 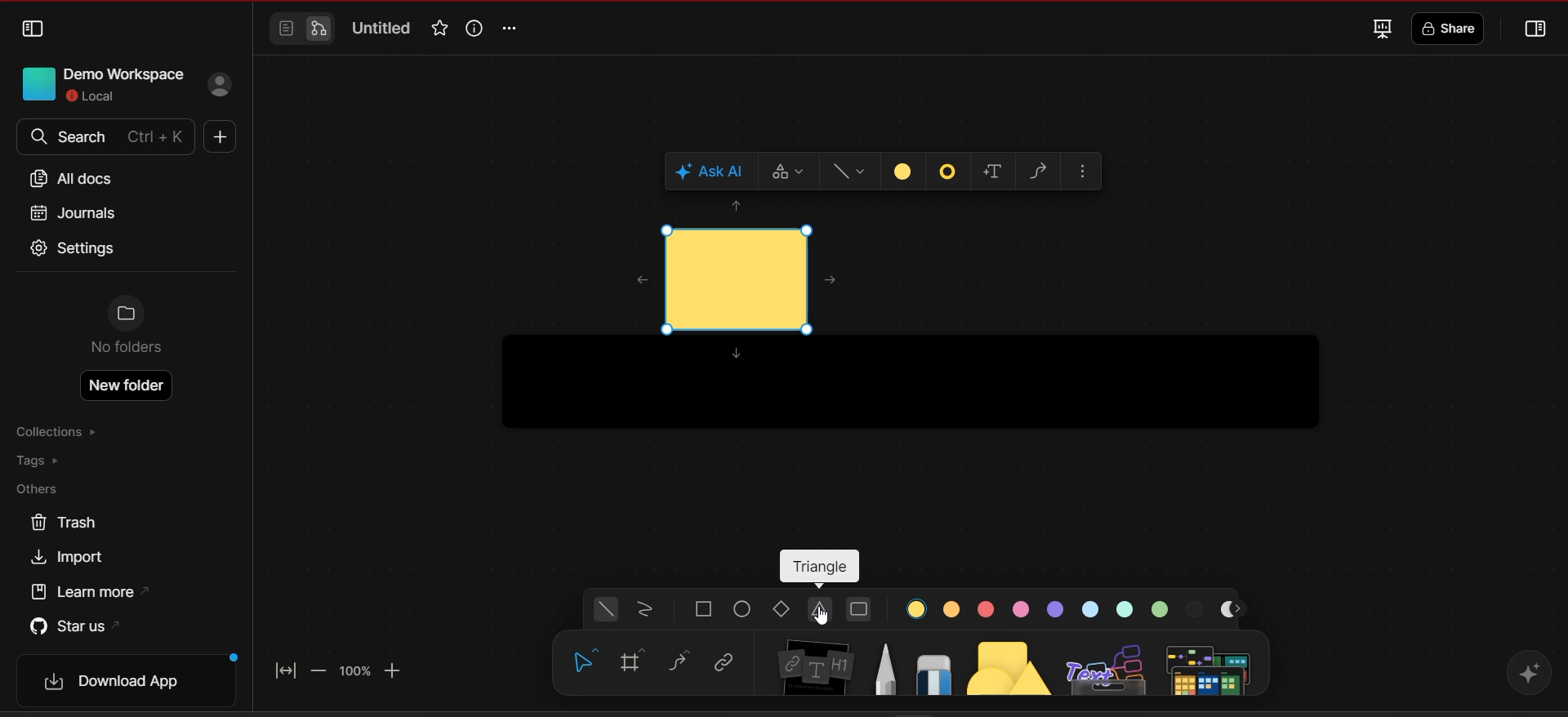 What do you see at coordinates (63, 523) in the screenshot?
I see `trash` at bounding box center [63, 523].